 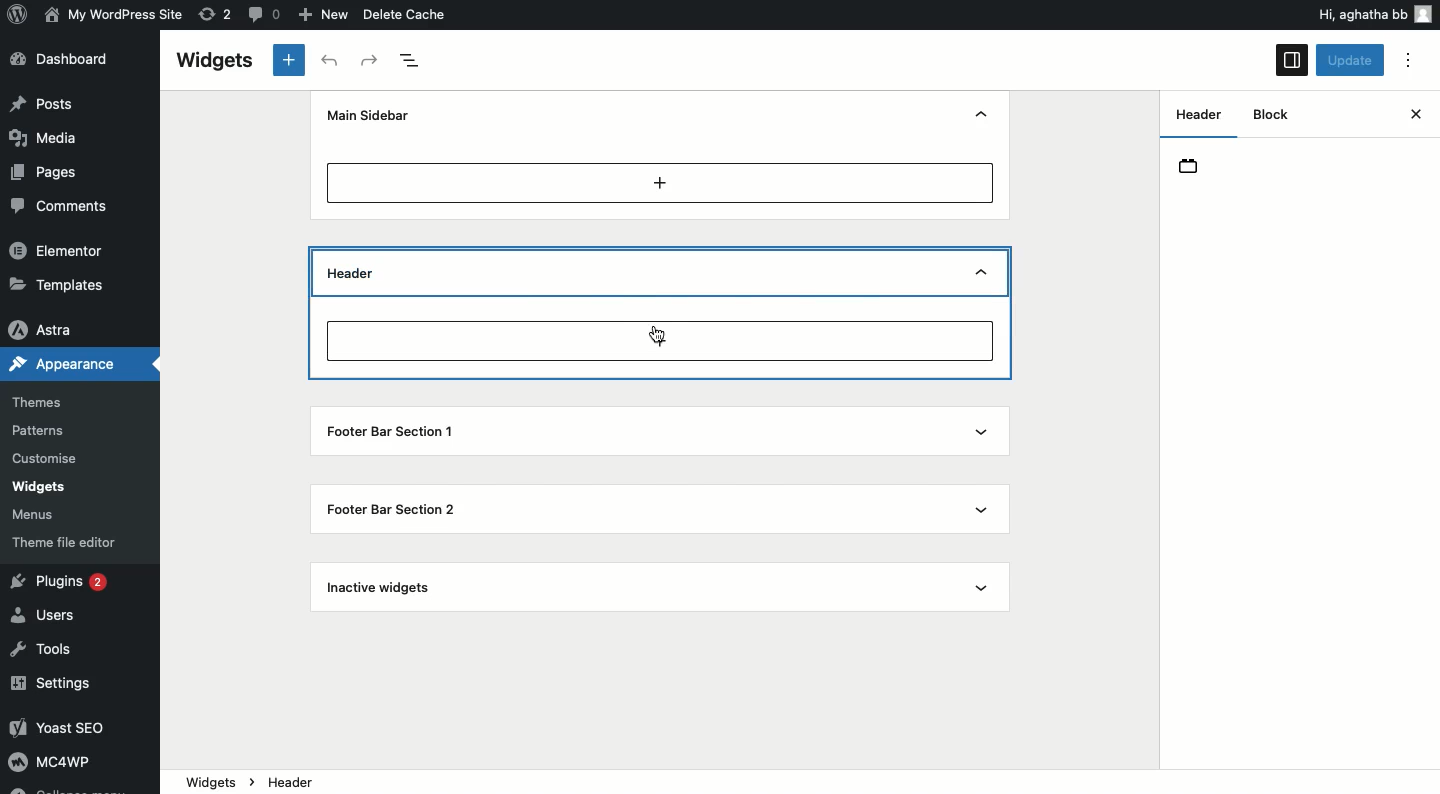 What do you see at coordinates (658, 337) in the screenshot?
I see `Cursor` at bounding box center [658, 337].